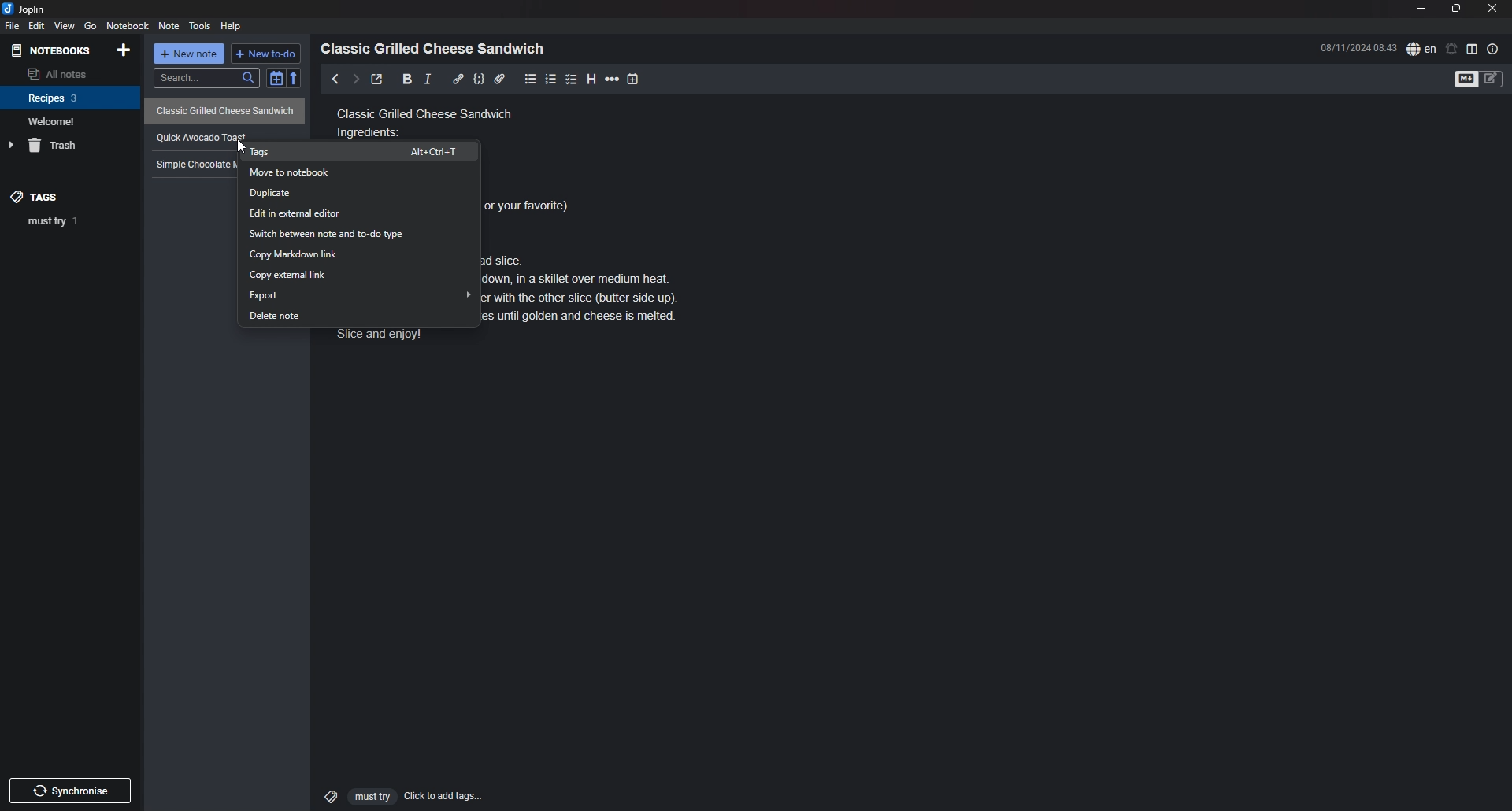 The image size is (1512, 811). What do you see at coordinates (246, 149) in the screenshot?
I see `cursor` at bounding box center [246, 149].